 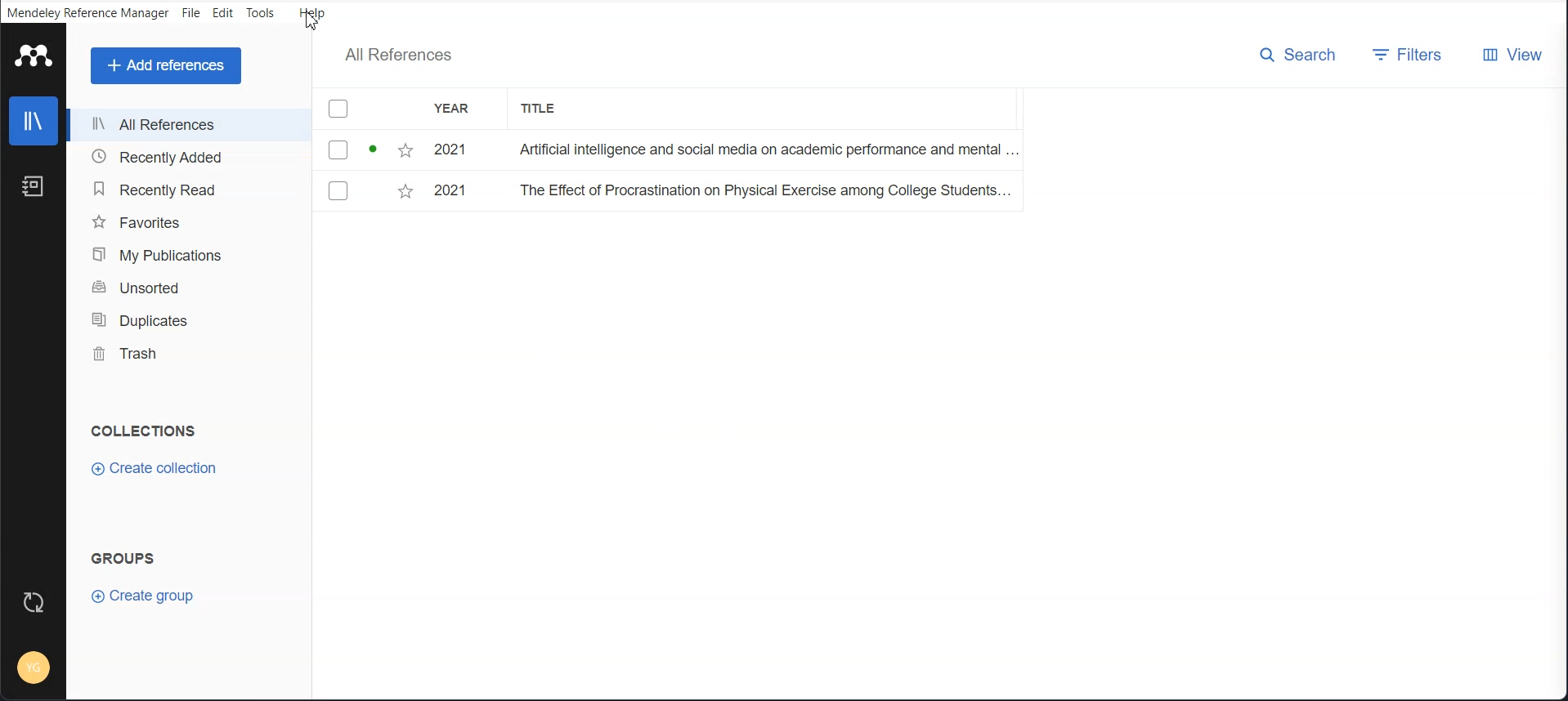 What do you see at coordinates (313, 13) in the screenshot?
I see `Help` at bounding box center [313, 13].